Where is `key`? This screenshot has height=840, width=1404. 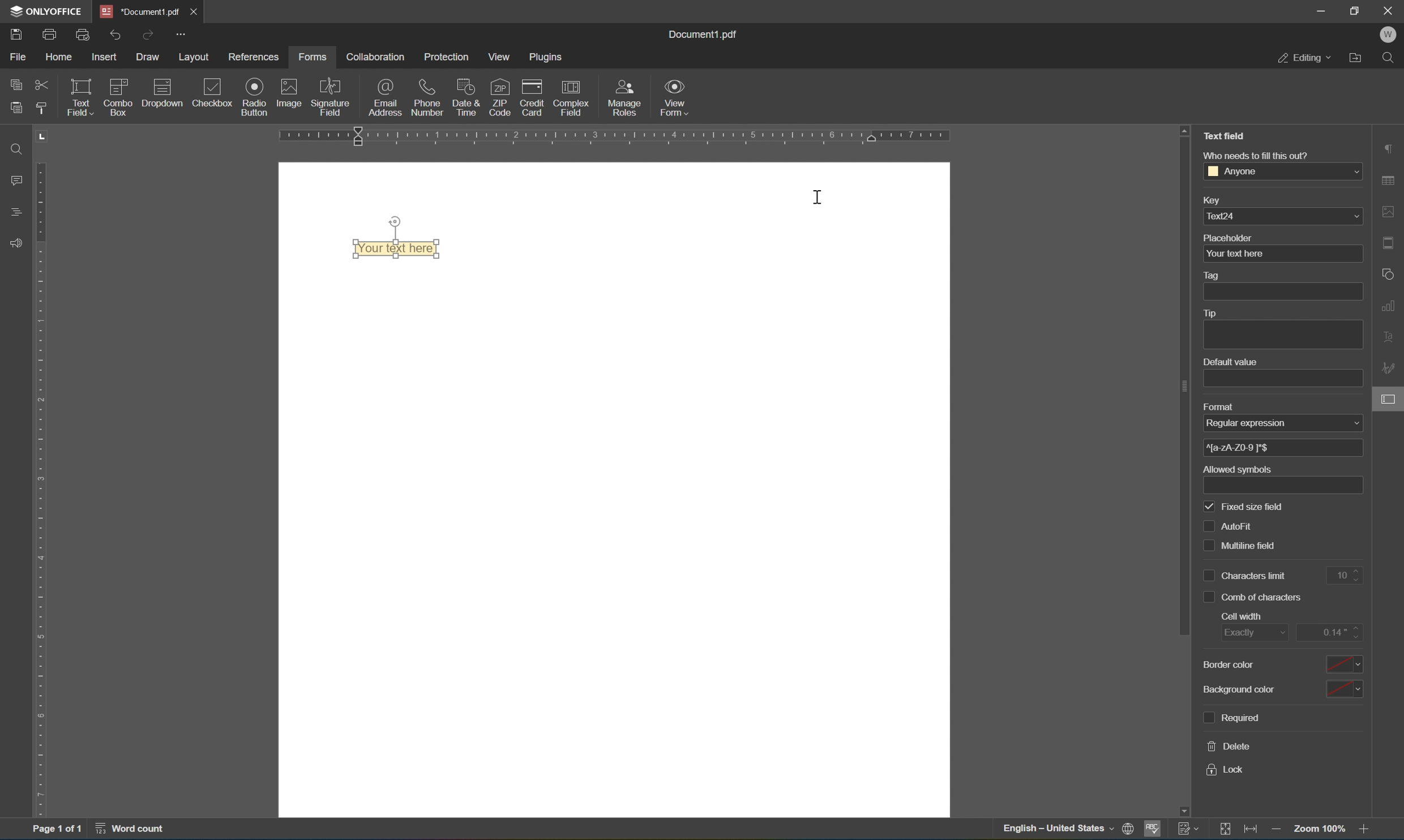
key is located at coordinates (1210, 202).